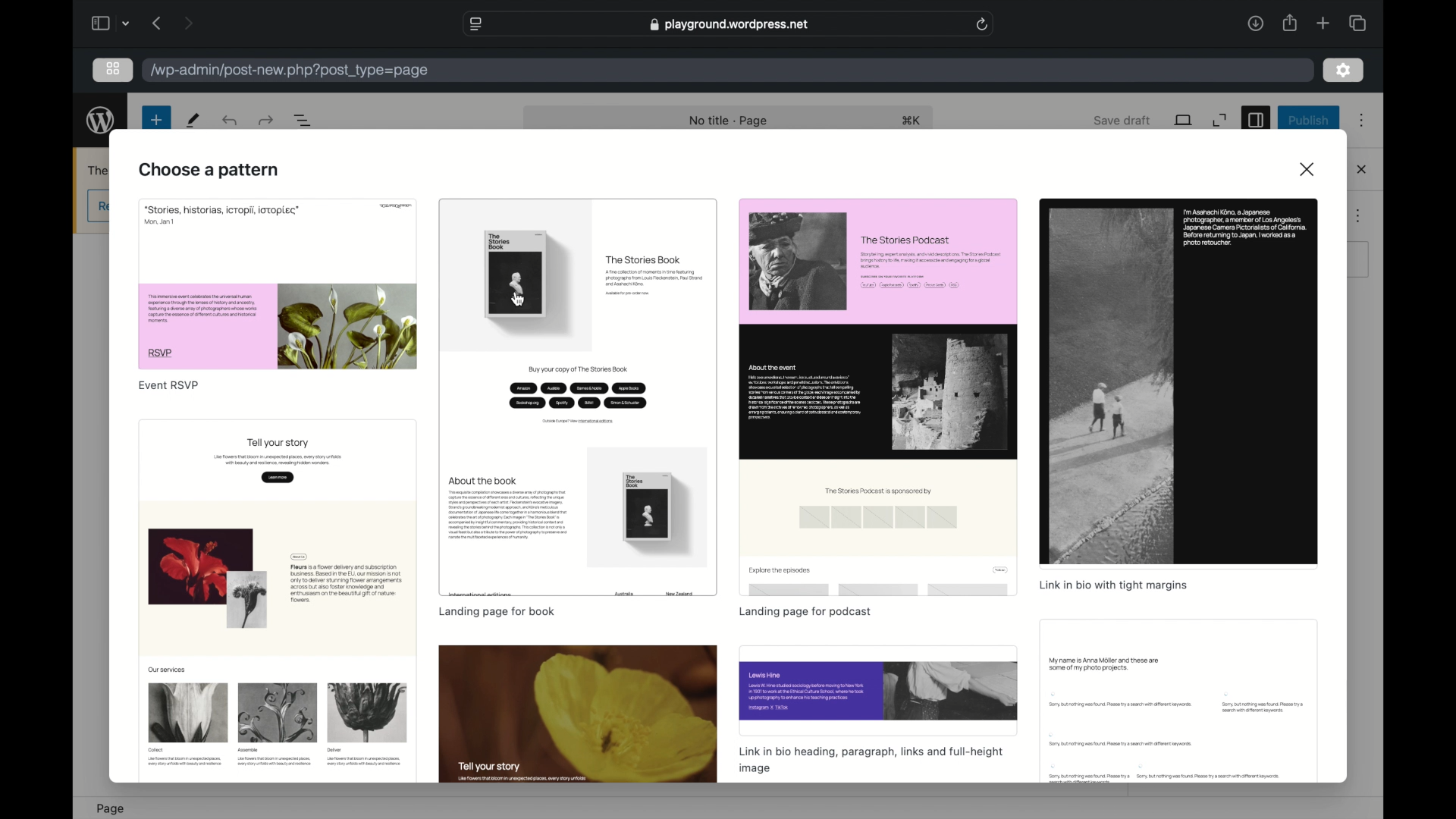  What do you see at coordinates (1291, 24) in the screenshot?
I see `share` at bounding box center [1291, 24].